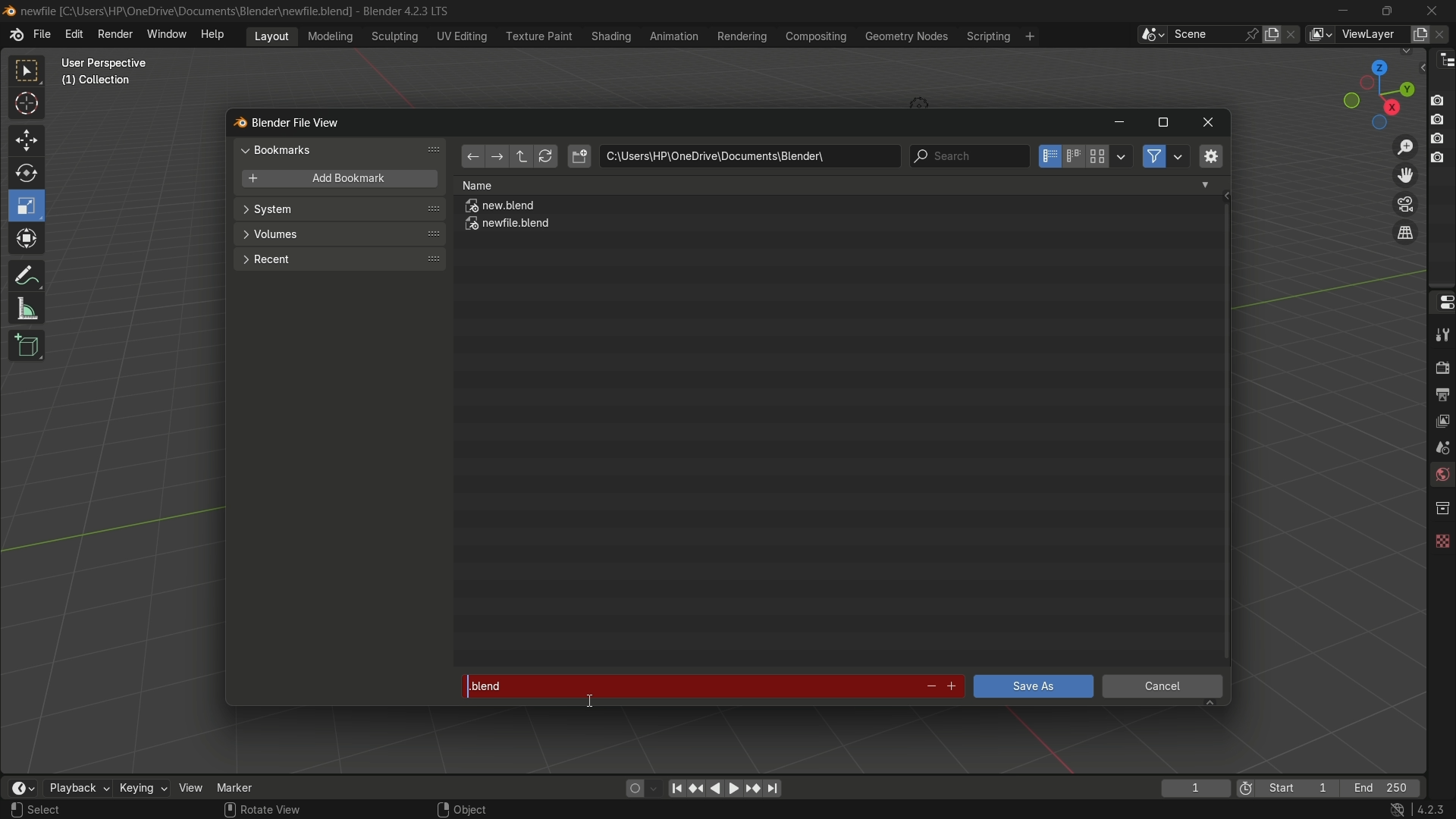 This screenshot has height=819, width=1456. Describe the element at coordinates (1371, 35) in the screenshot. I see `view layer name` at that location.